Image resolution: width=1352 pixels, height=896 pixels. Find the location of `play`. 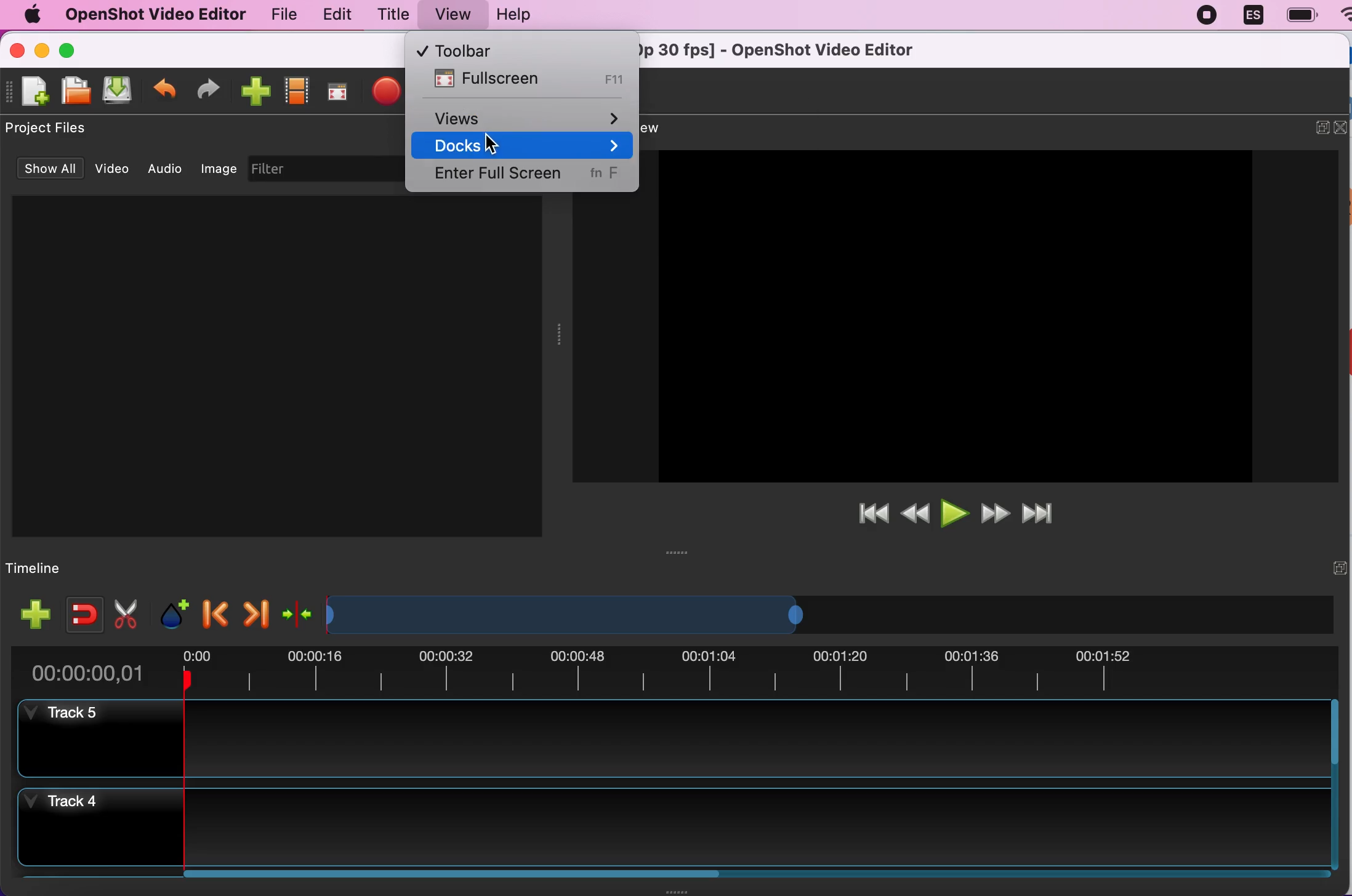

play is located at coordinates (956, 511).